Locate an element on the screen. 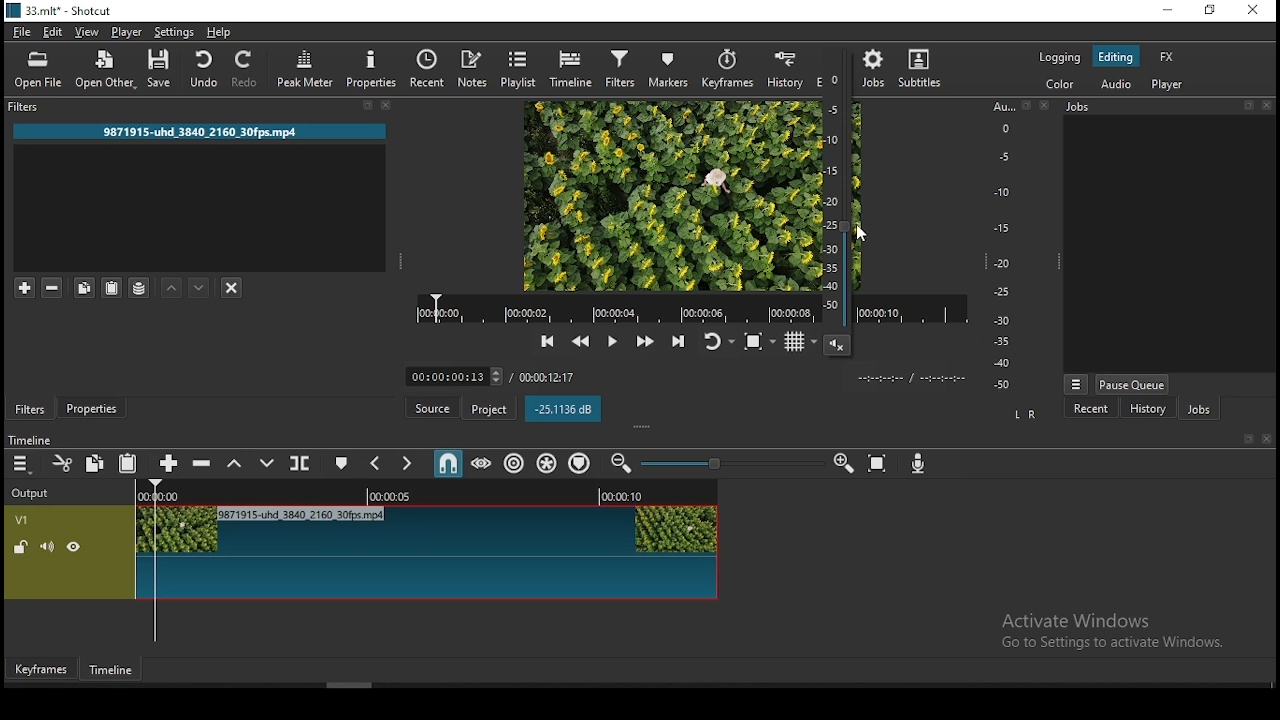 The width and height of the screenshot is (1280, 720). close is located at coordinates (1267, 441).